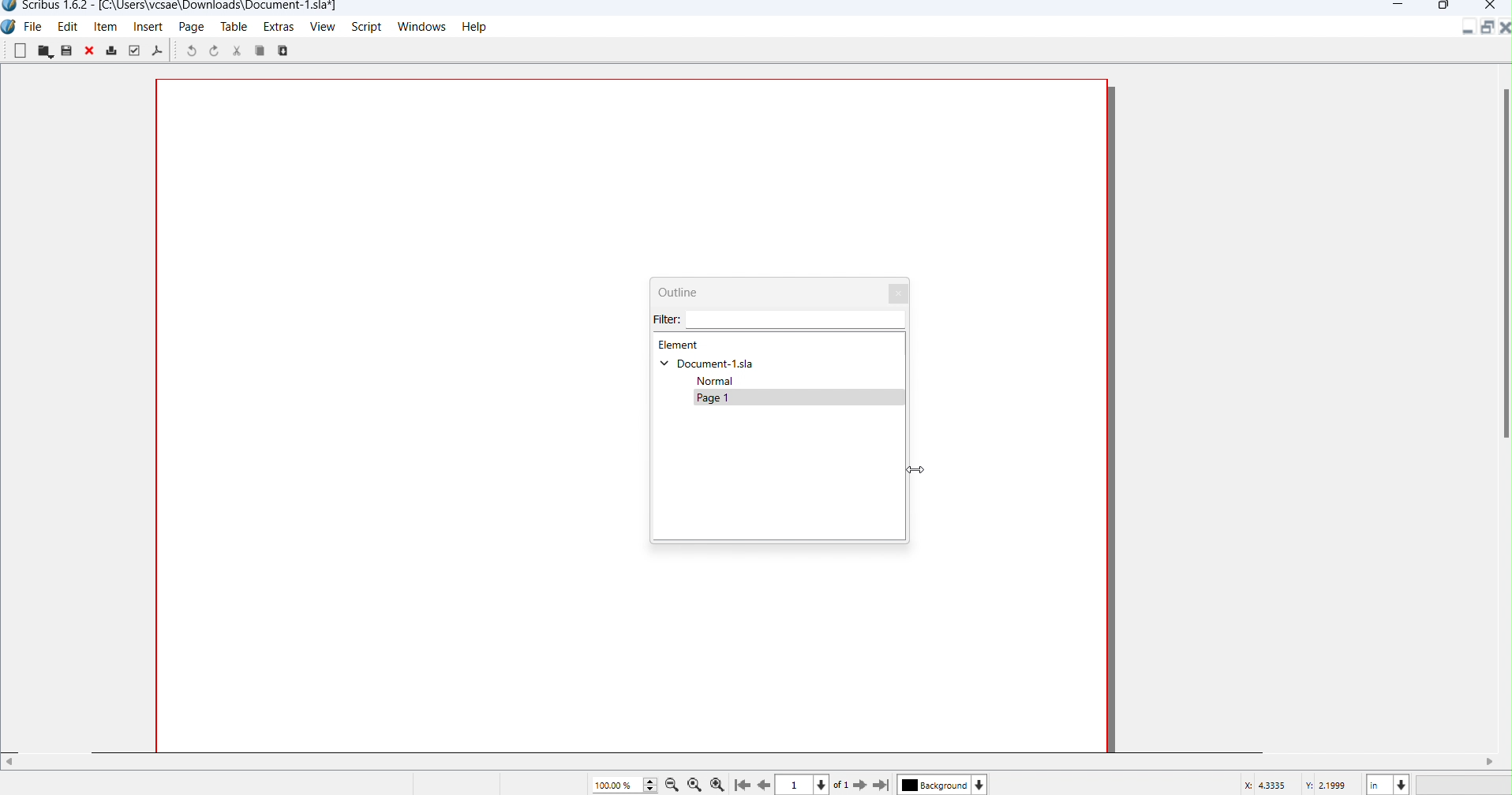  What do you see at coordinates (681, 345) in the screenshot?
I see `Elements` at bounding box center [681, 345].